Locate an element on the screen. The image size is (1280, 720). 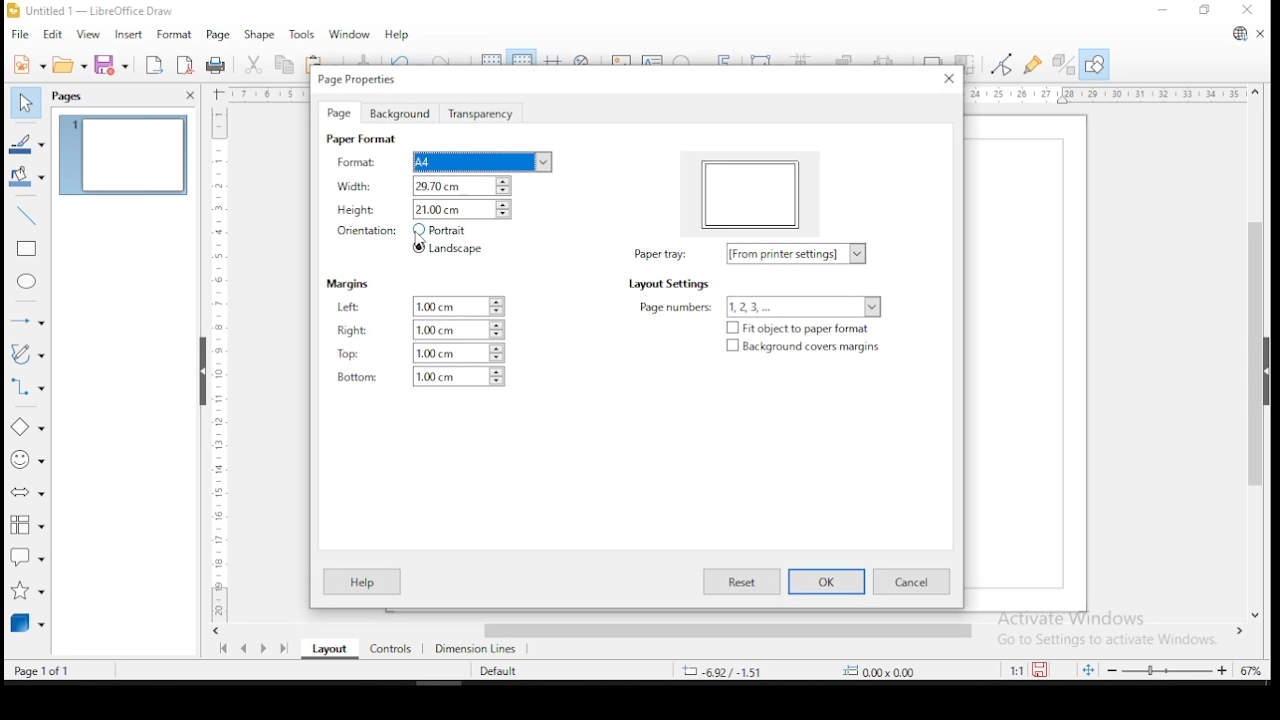
0.00 x 0.00 is located at coordinates (901, 671).